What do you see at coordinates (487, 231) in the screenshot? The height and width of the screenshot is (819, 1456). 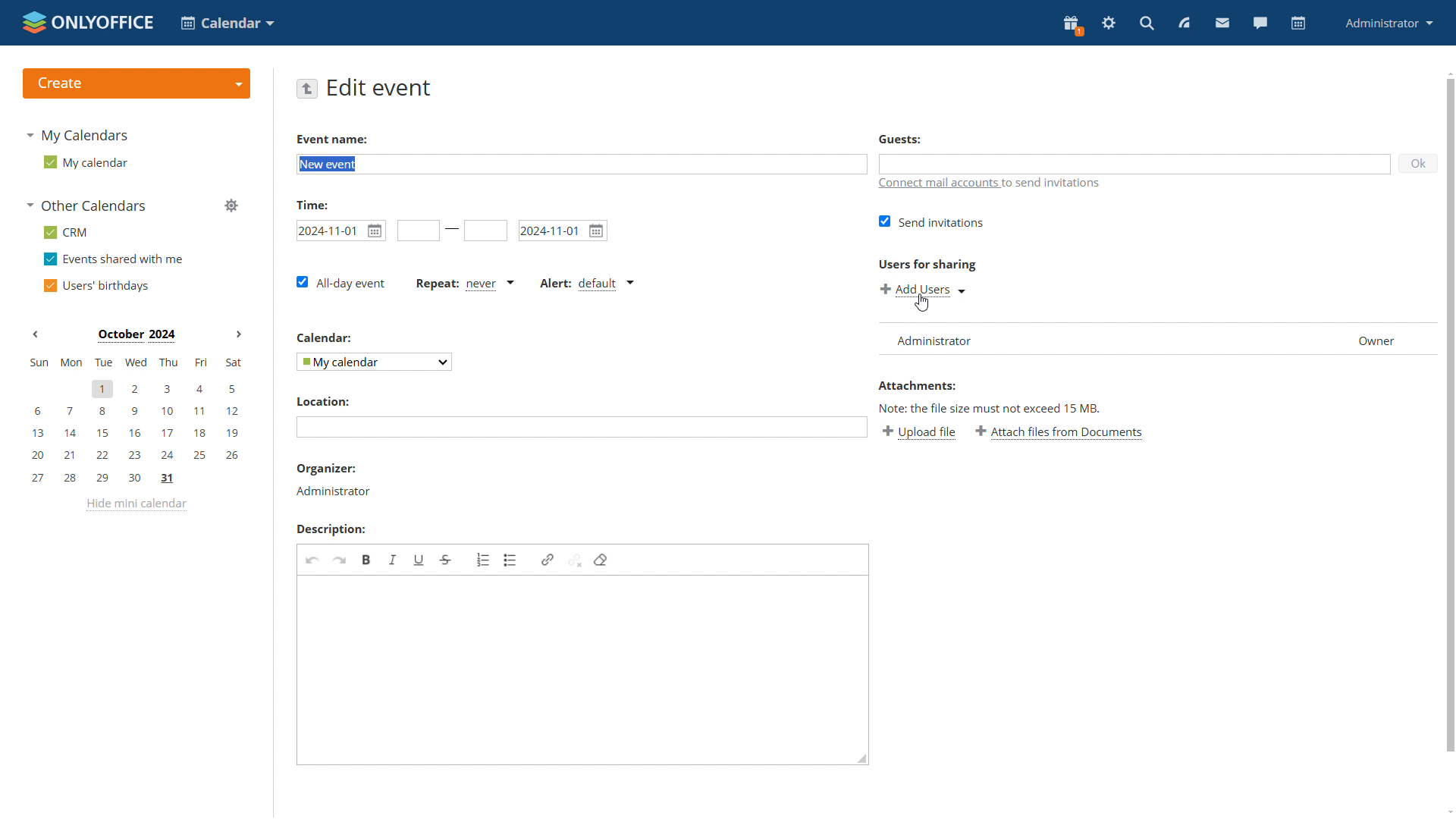 I see `end date` at bounding box center [487, 231].